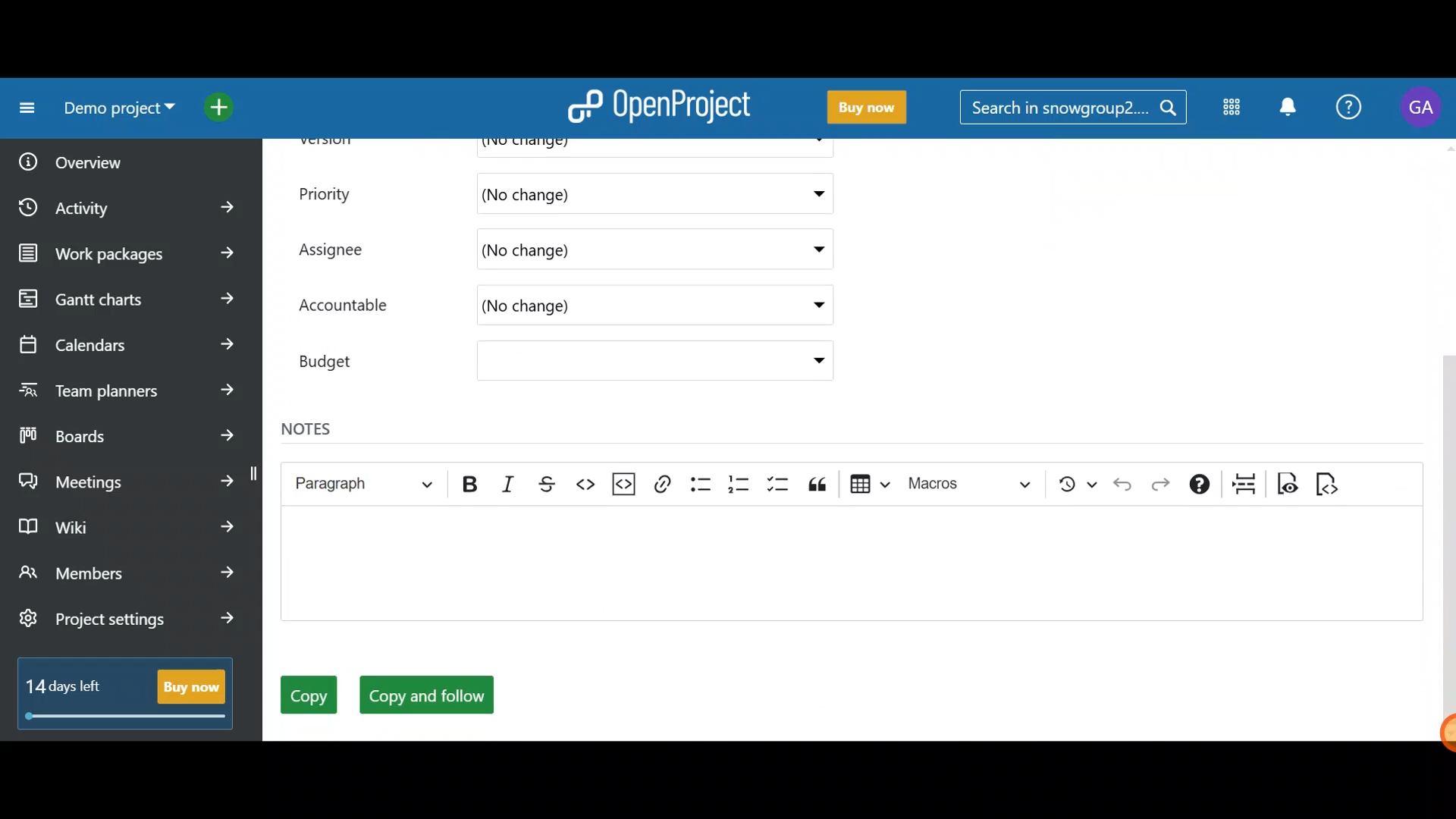 The width and height of the screenshot is (1456, 819). What do you see at coordinates (813, 306) in the screenshot?
I see `Accountable drop down` at bounding box center [813, 306].